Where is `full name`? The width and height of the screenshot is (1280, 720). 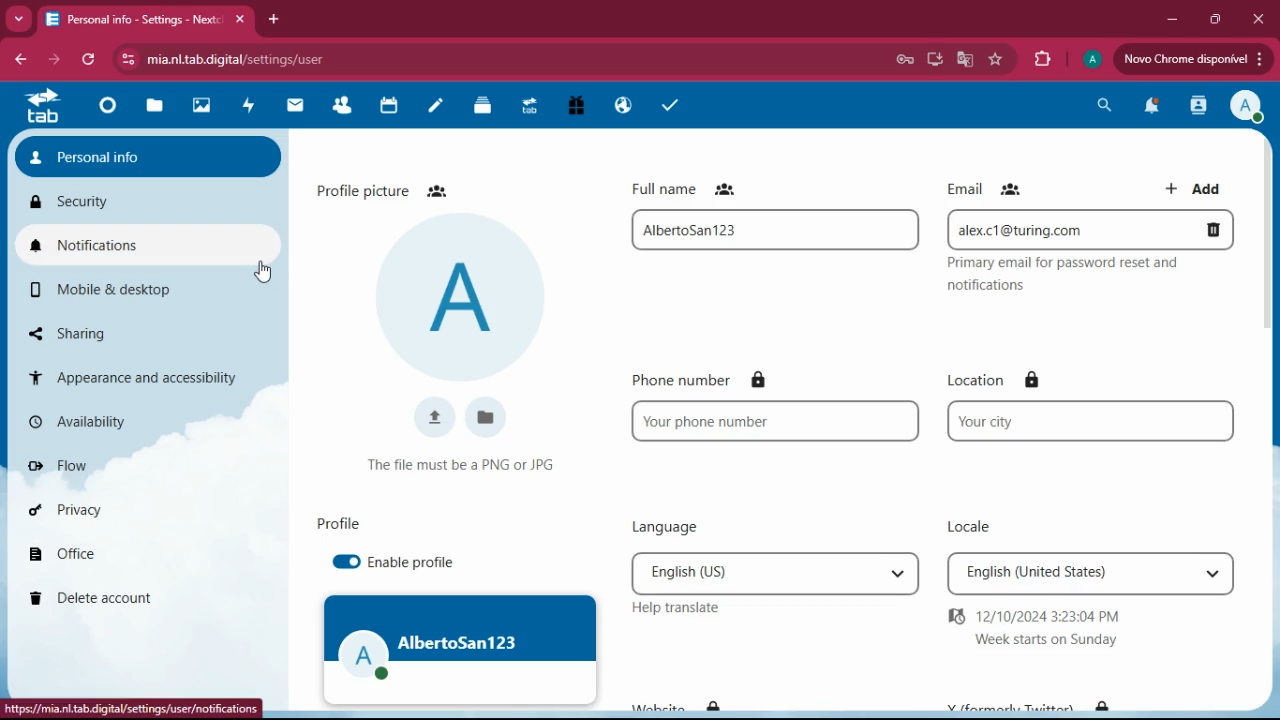 full name is located at coordinates (774, 230).